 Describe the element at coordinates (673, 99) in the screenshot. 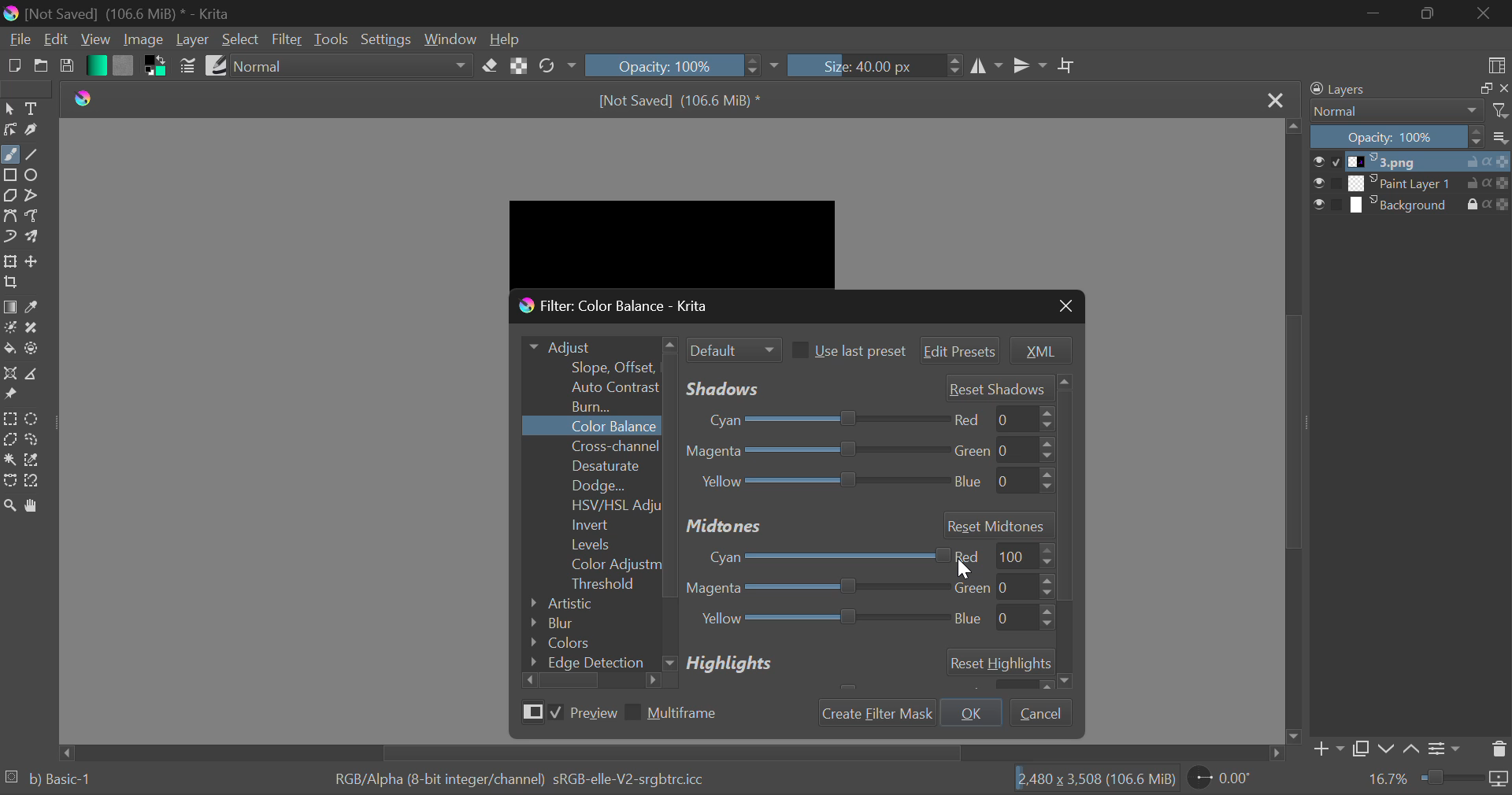

I see `[Not Saved] (106.6 MiB) *` at that location.